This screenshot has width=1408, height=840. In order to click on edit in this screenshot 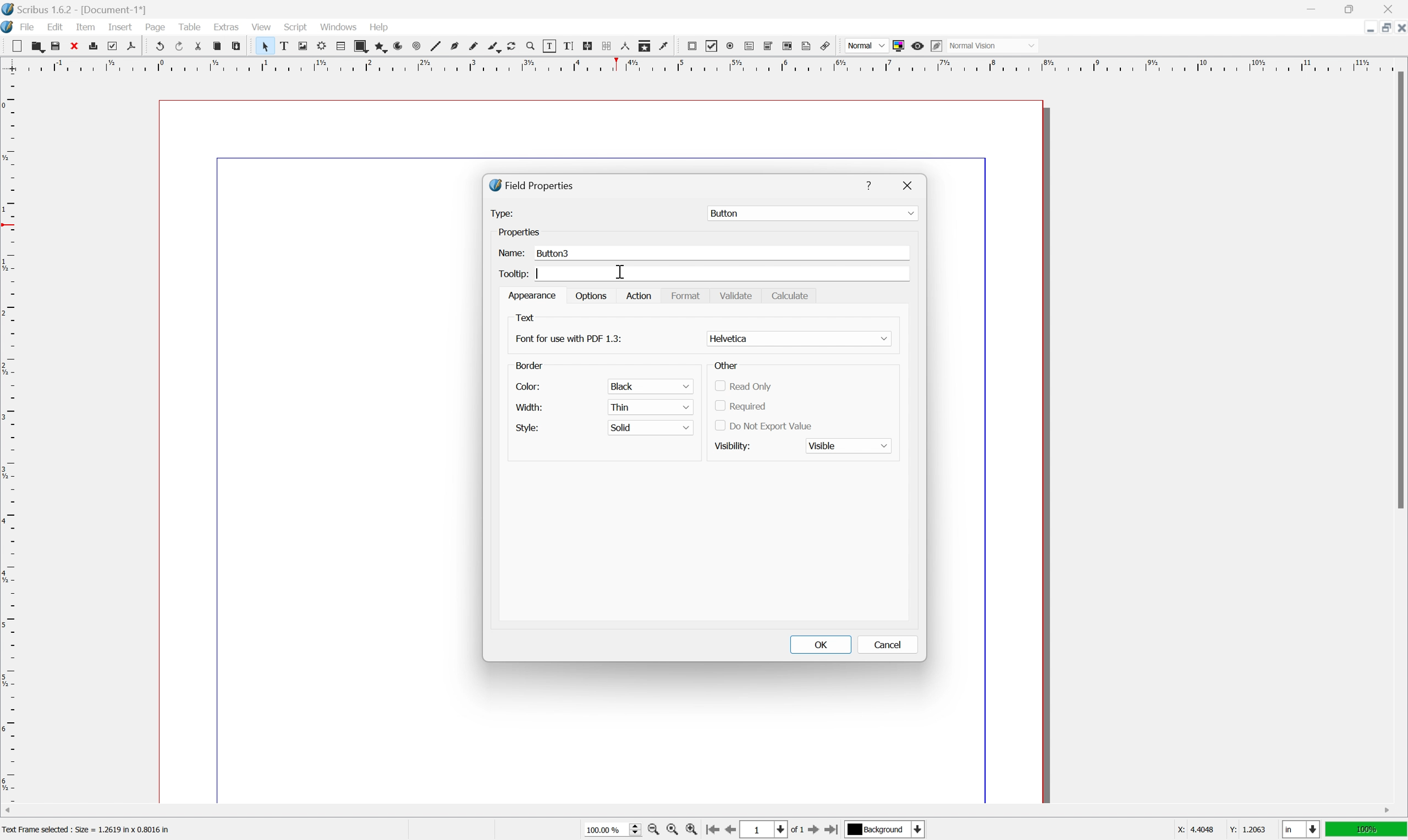, I will do `click(57, 27)`.